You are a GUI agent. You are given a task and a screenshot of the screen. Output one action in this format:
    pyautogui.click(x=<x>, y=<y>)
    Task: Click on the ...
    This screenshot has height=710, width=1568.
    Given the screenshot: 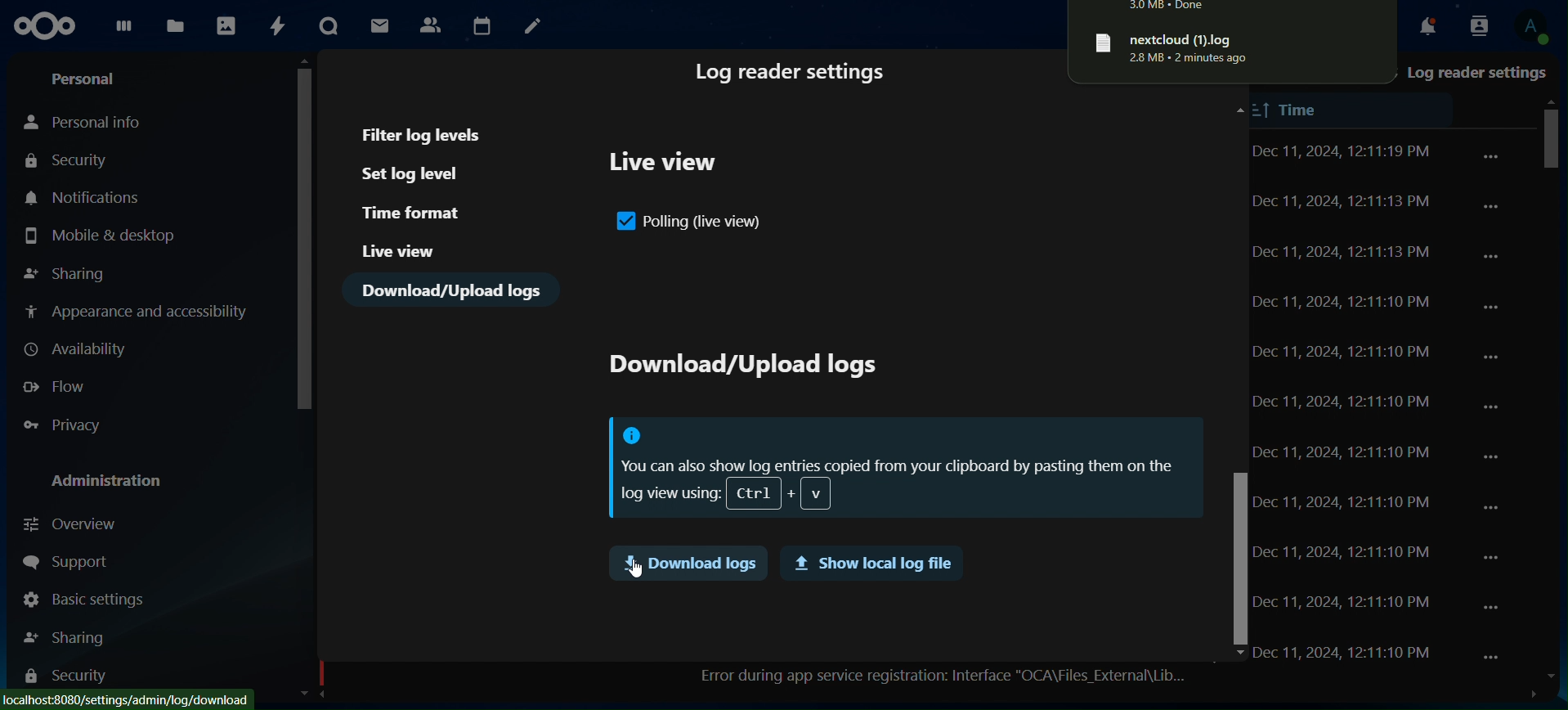 What is the action you would take?
    pyautogui.click(x=1494, y=255)
    